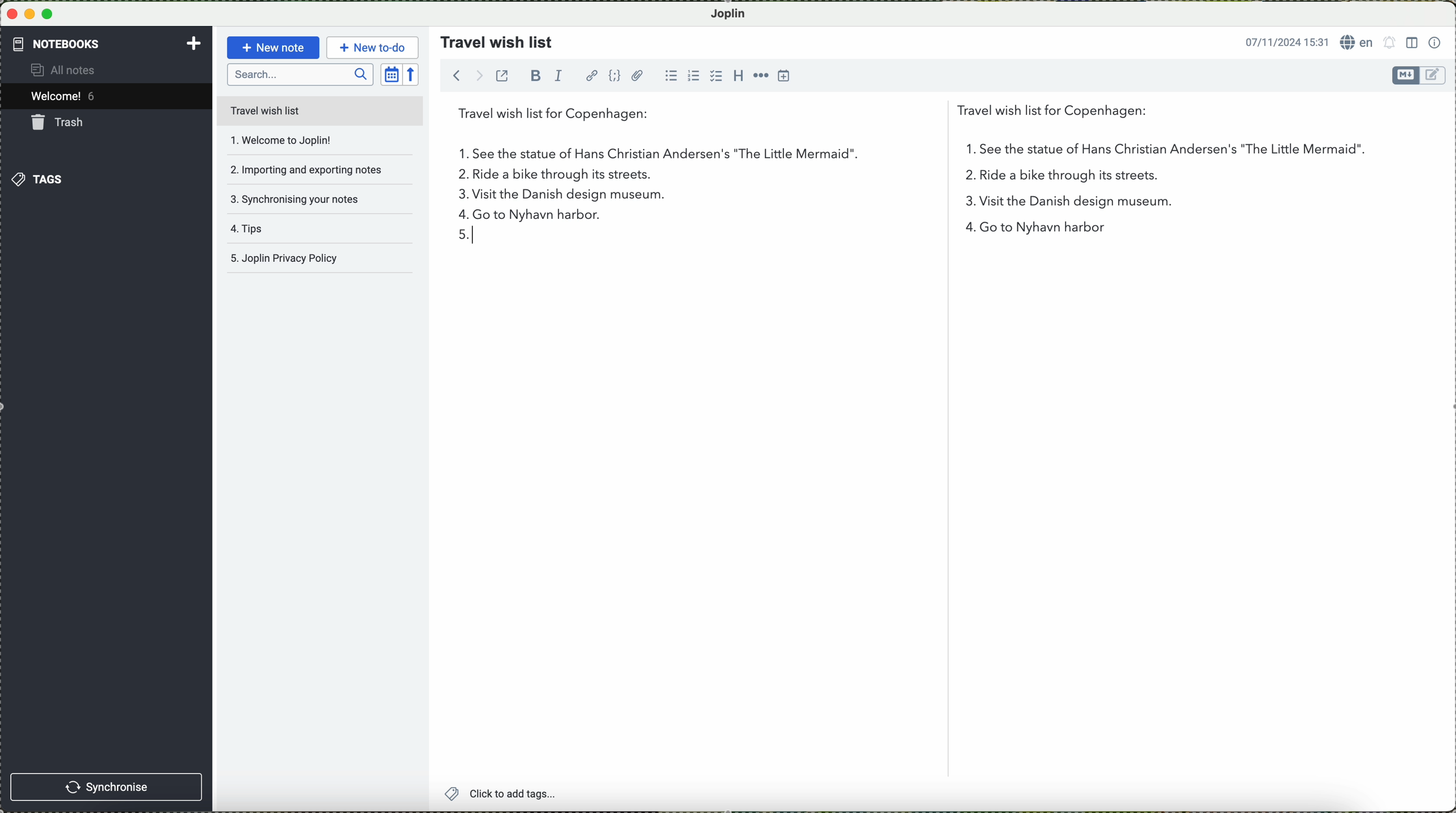  Describe the element at coordinates (809, 197) in the screenshot. I see `visit the Danish design museum.` at that location.